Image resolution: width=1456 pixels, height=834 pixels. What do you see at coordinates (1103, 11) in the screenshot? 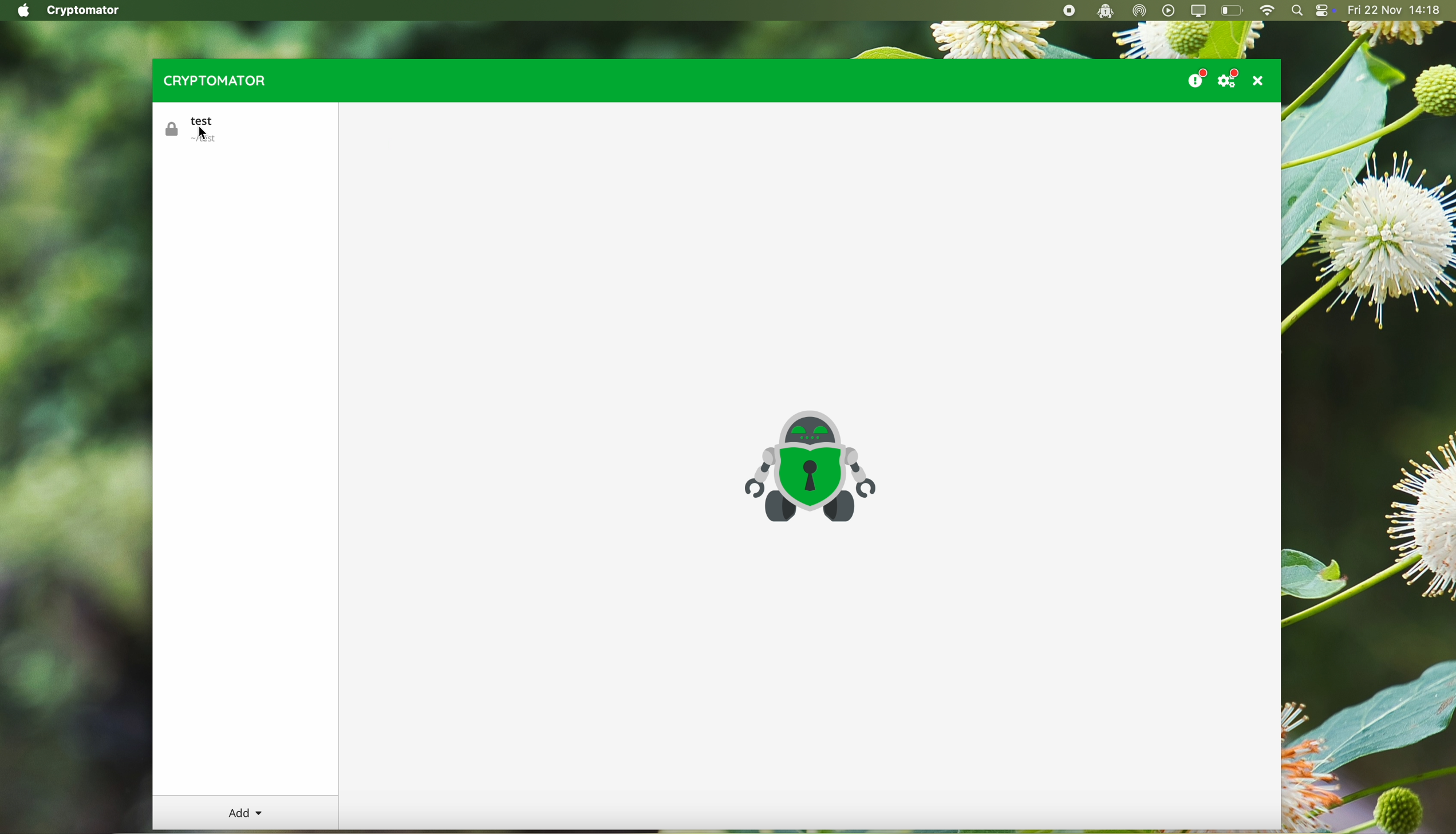
I see `cryptomator open` at bounding box center [1103, 11].